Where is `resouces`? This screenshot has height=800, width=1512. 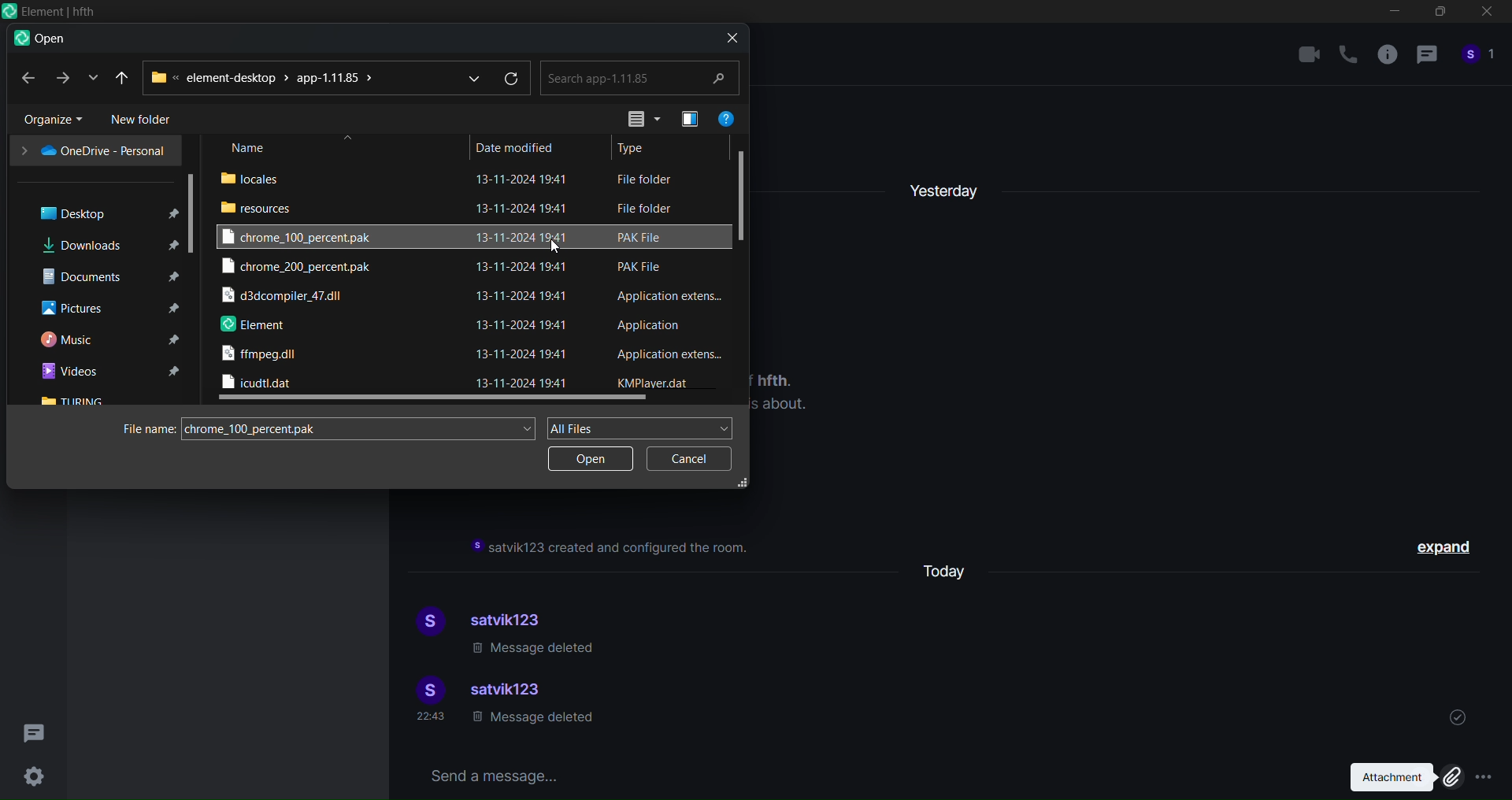
resouces is located at coordinates (260, 207).